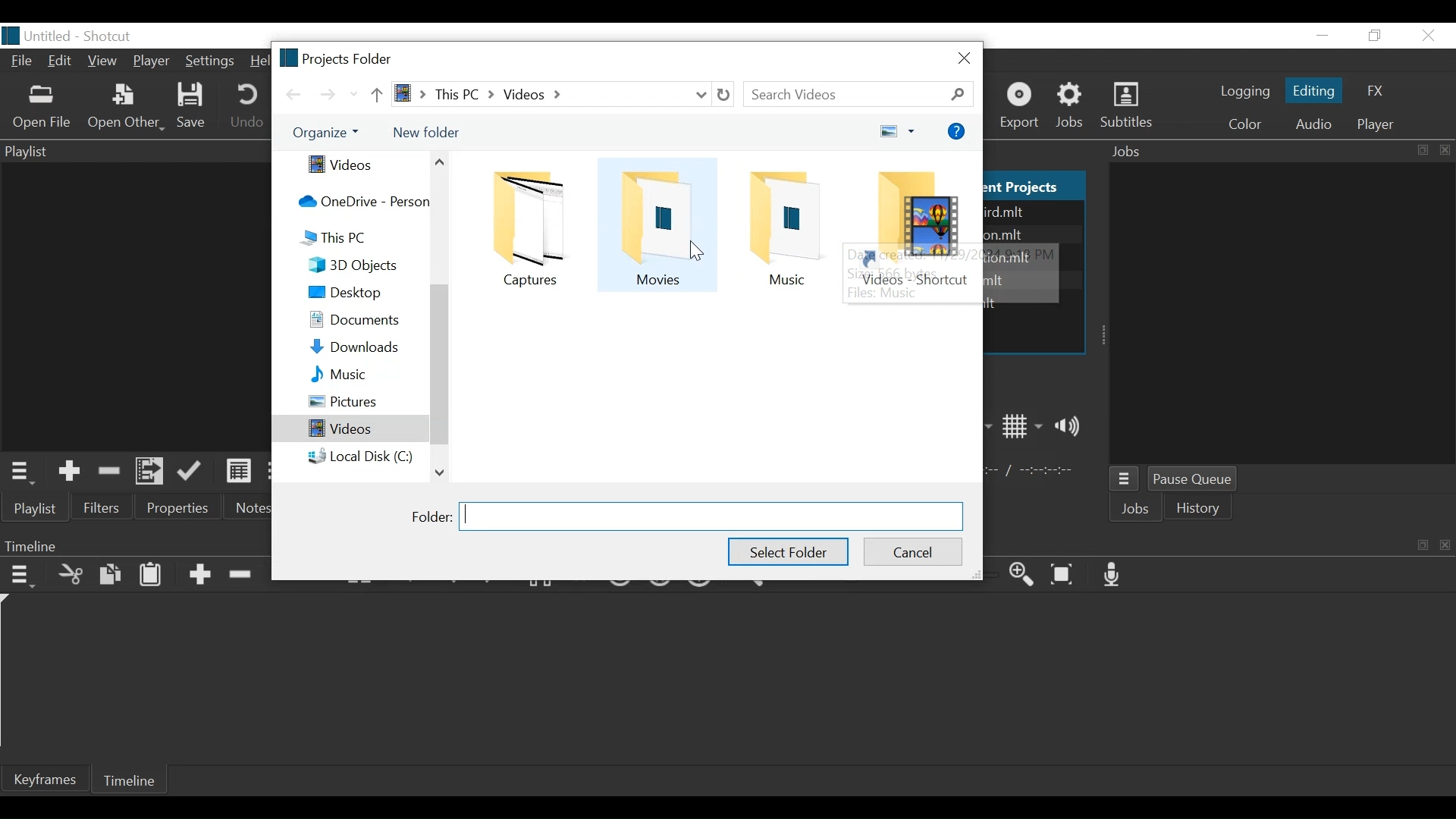 The height and width of the screenshot is (819, 1456). I want to click on Zoom Timeline to fit, so click(1065, 575).